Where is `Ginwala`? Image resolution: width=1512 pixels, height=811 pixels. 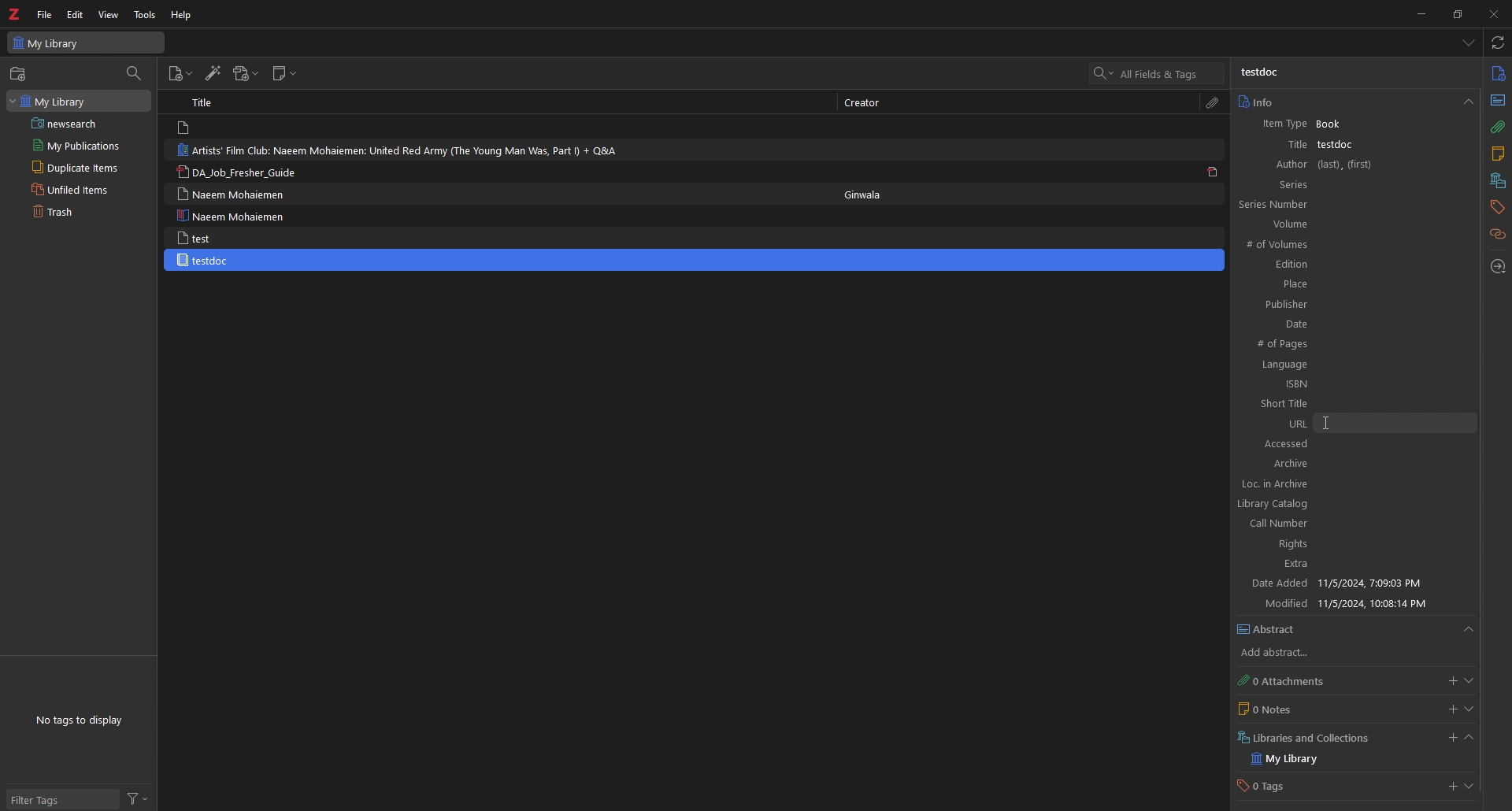 Ginwala is located at coordinates (872, 195).